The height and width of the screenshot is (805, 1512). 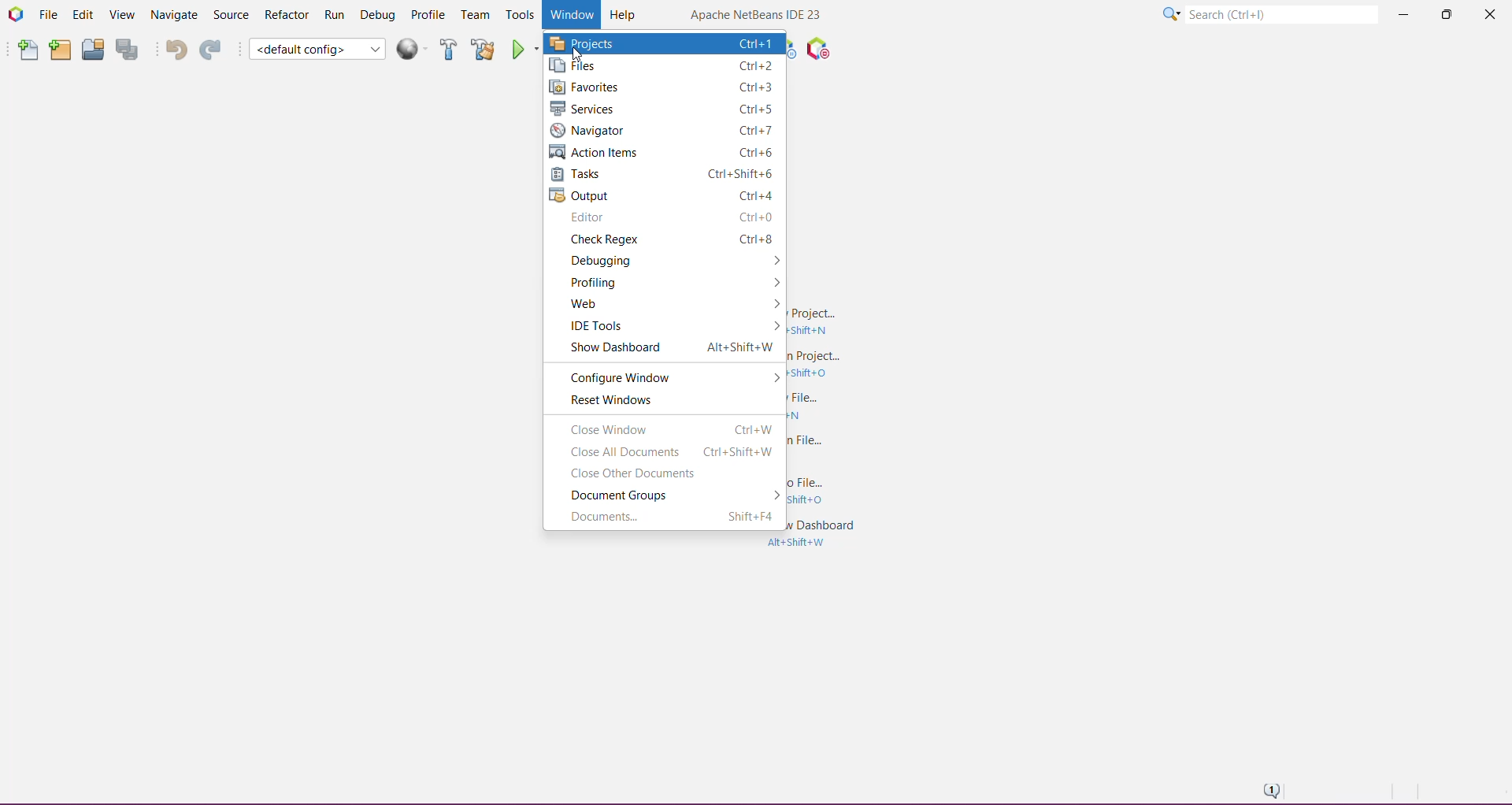 I want to click on More Options, so click(x=772, y=284).